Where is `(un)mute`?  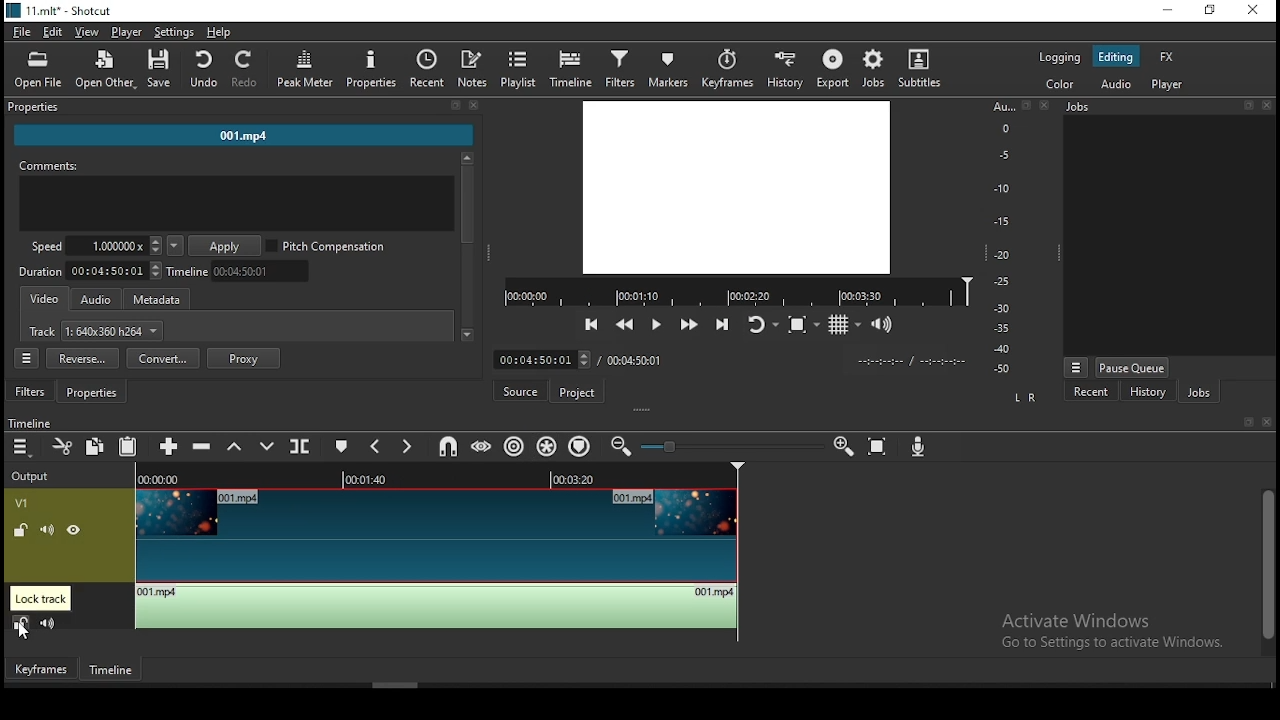
(un)mute is located at coordinates (50, 529).